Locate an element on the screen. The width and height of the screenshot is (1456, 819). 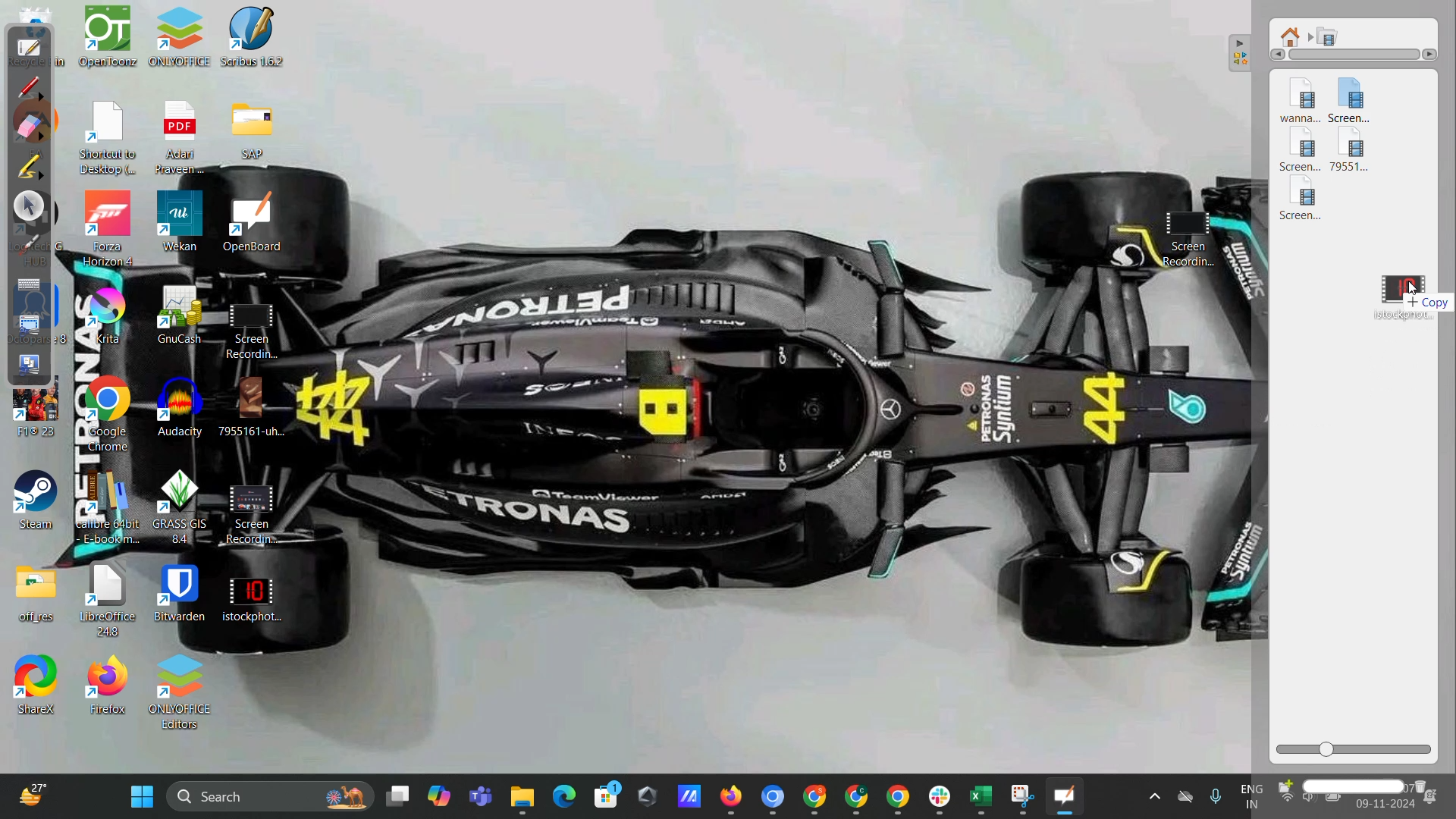
minimized snipping tool is located at coordinates (1020, 795).